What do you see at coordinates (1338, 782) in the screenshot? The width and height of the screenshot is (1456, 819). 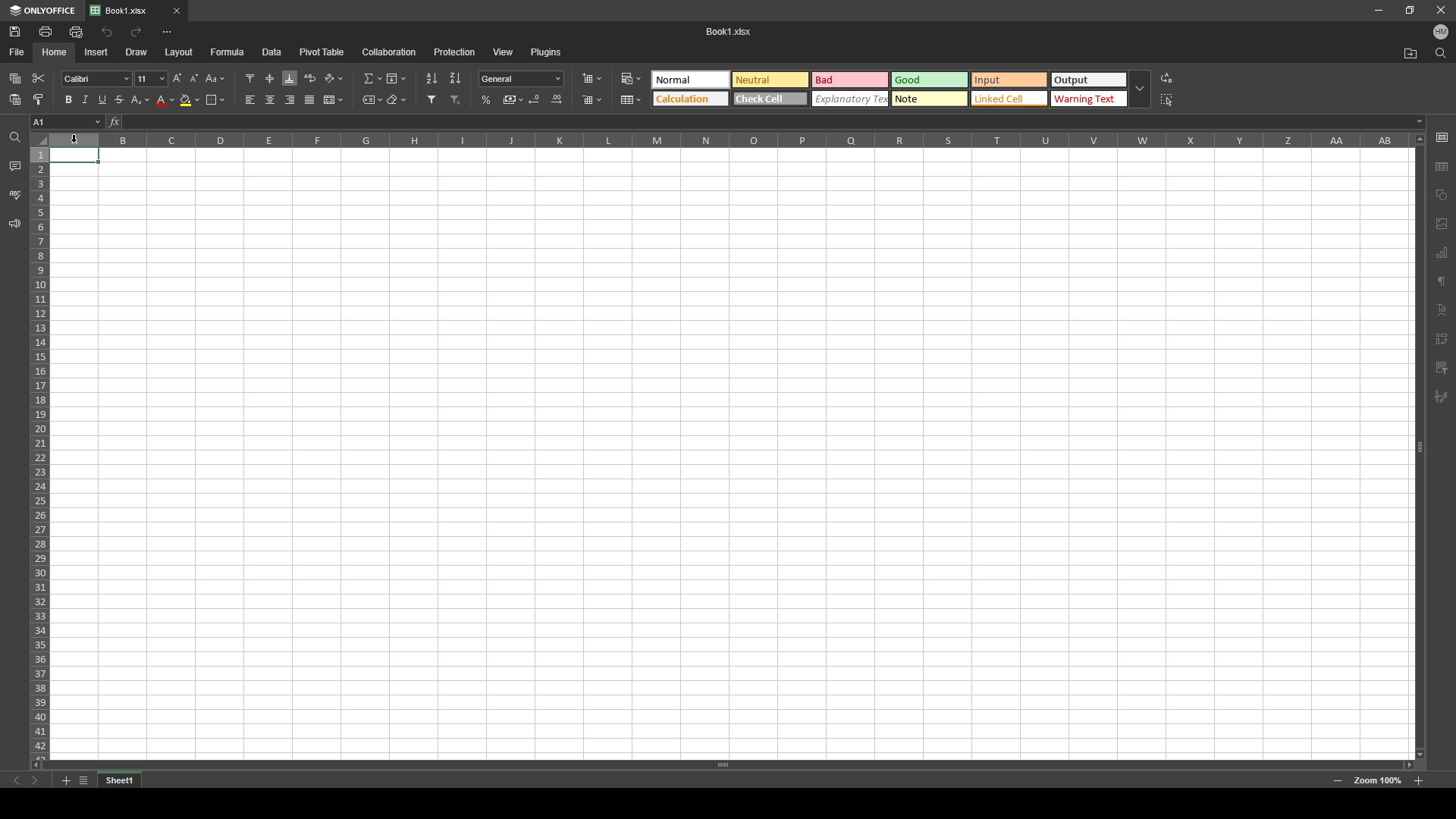 I see `zoom out` at bounding box center [1338, 782].